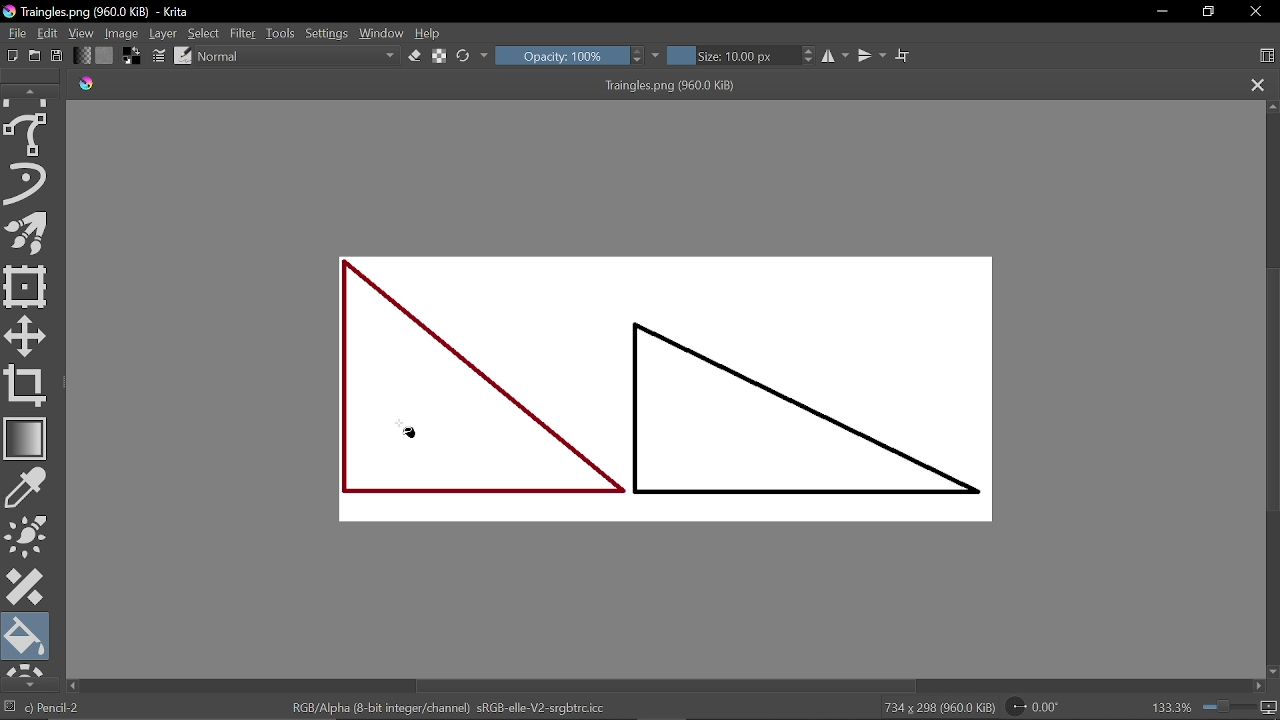  What do you see at coordinates (1032, 707) in the screenshot?
I see `0.00` at bounding box center [1032, 707].